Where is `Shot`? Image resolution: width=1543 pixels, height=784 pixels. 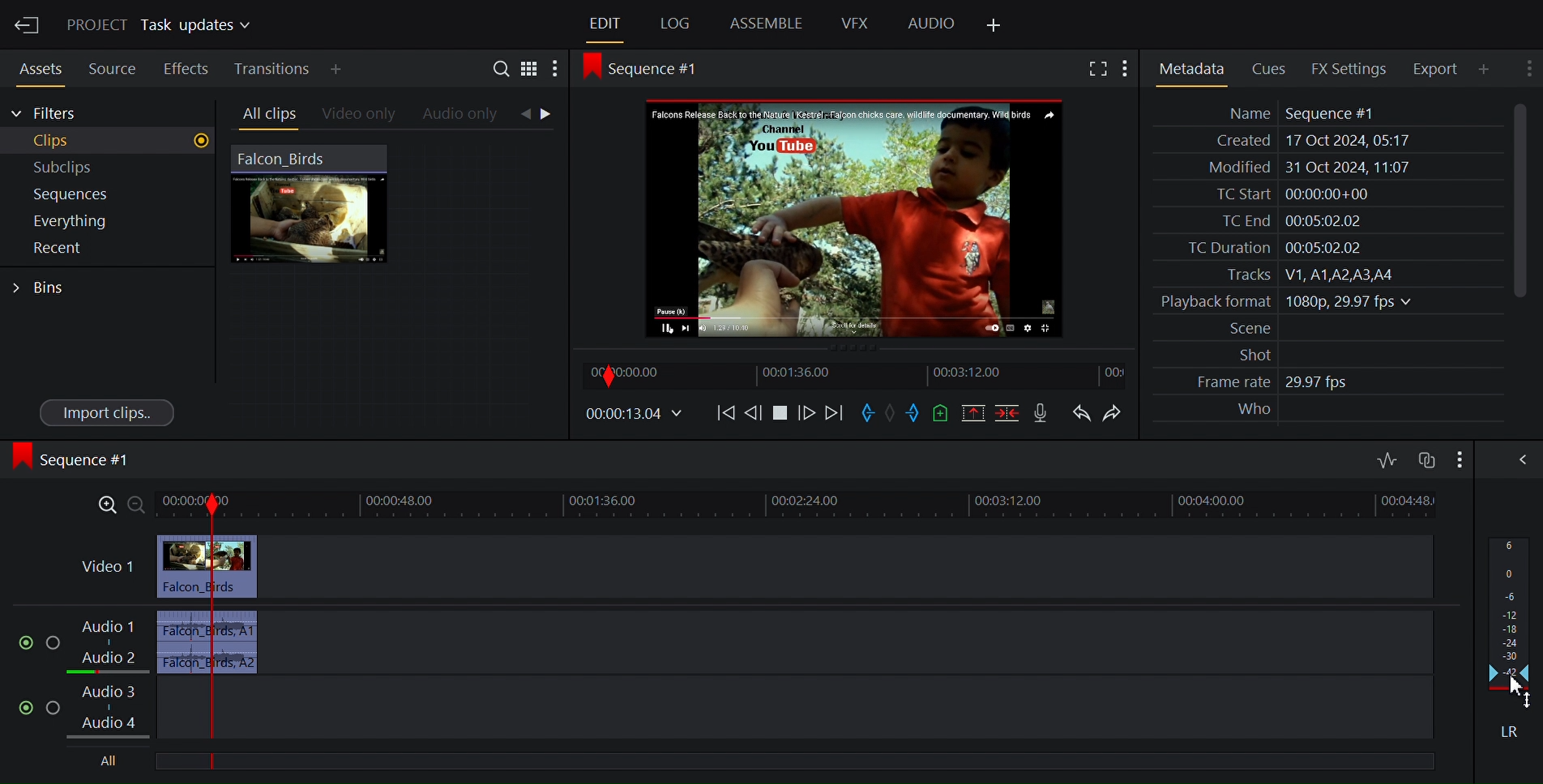 Shot is located at coordinates (1245, 355).